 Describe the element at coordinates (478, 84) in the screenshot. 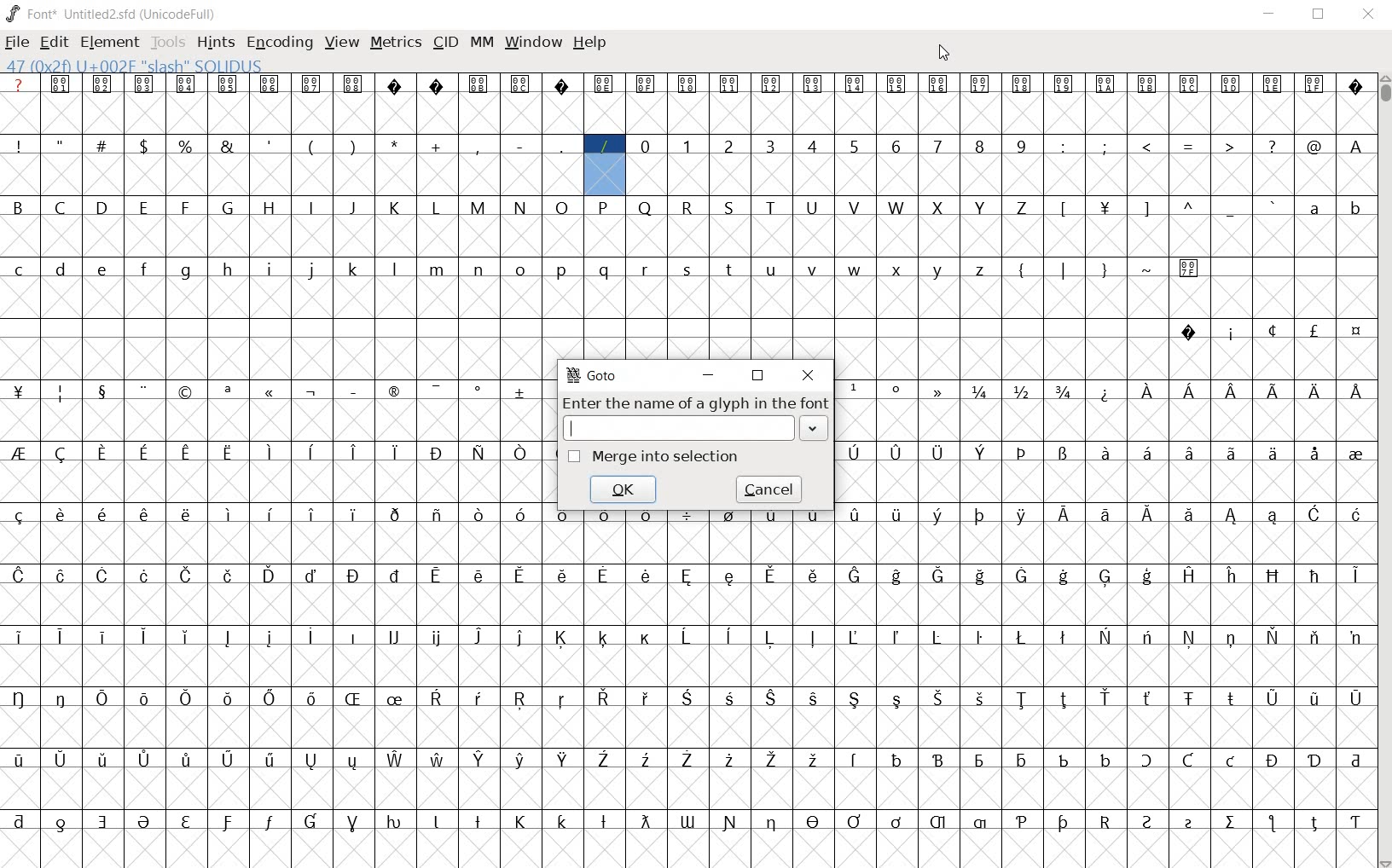

I see `glyph` at that location.